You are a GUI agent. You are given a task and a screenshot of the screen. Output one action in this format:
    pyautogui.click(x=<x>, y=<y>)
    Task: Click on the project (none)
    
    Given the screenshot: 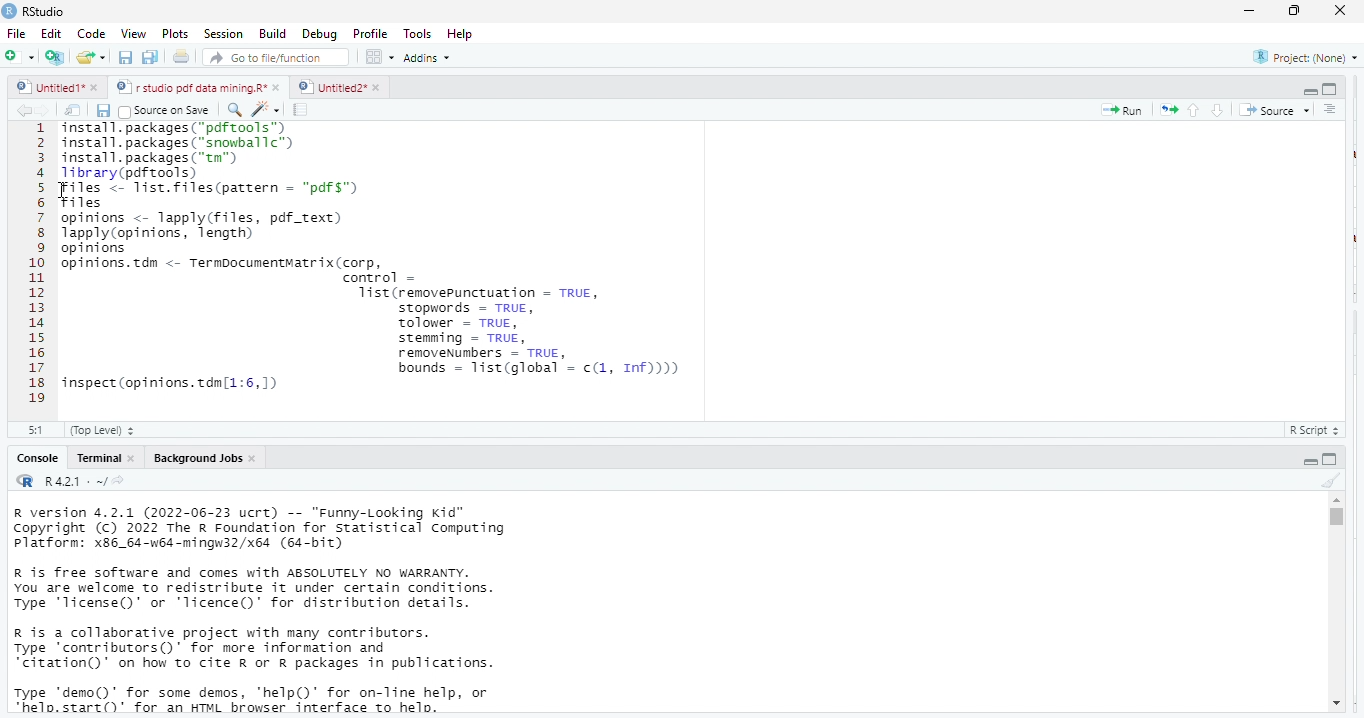 What is the action you would take?
    pyautogui.click(x=1300, y=57)
    